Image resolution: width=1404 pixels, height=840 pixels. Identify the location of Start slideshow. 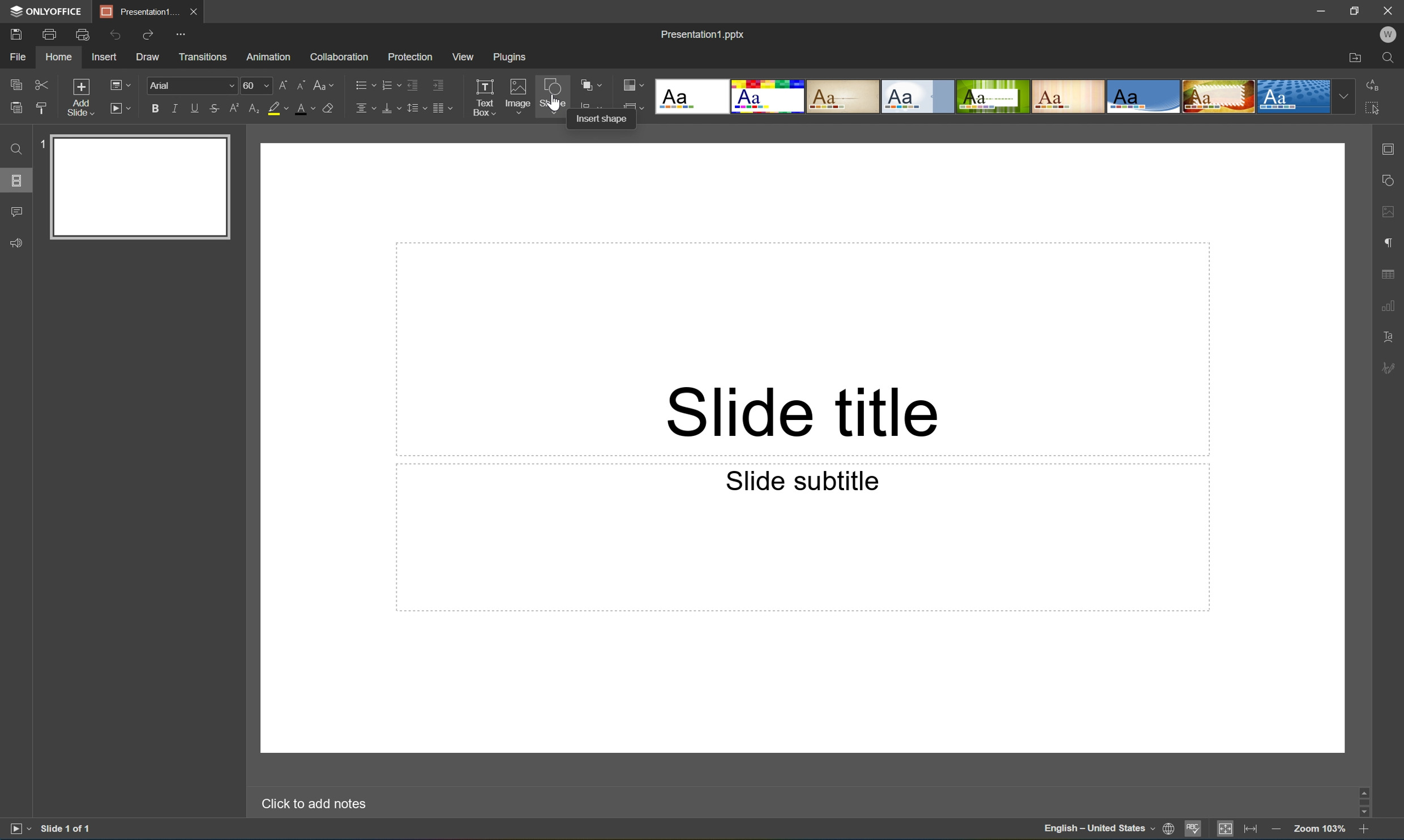
(16, 831).